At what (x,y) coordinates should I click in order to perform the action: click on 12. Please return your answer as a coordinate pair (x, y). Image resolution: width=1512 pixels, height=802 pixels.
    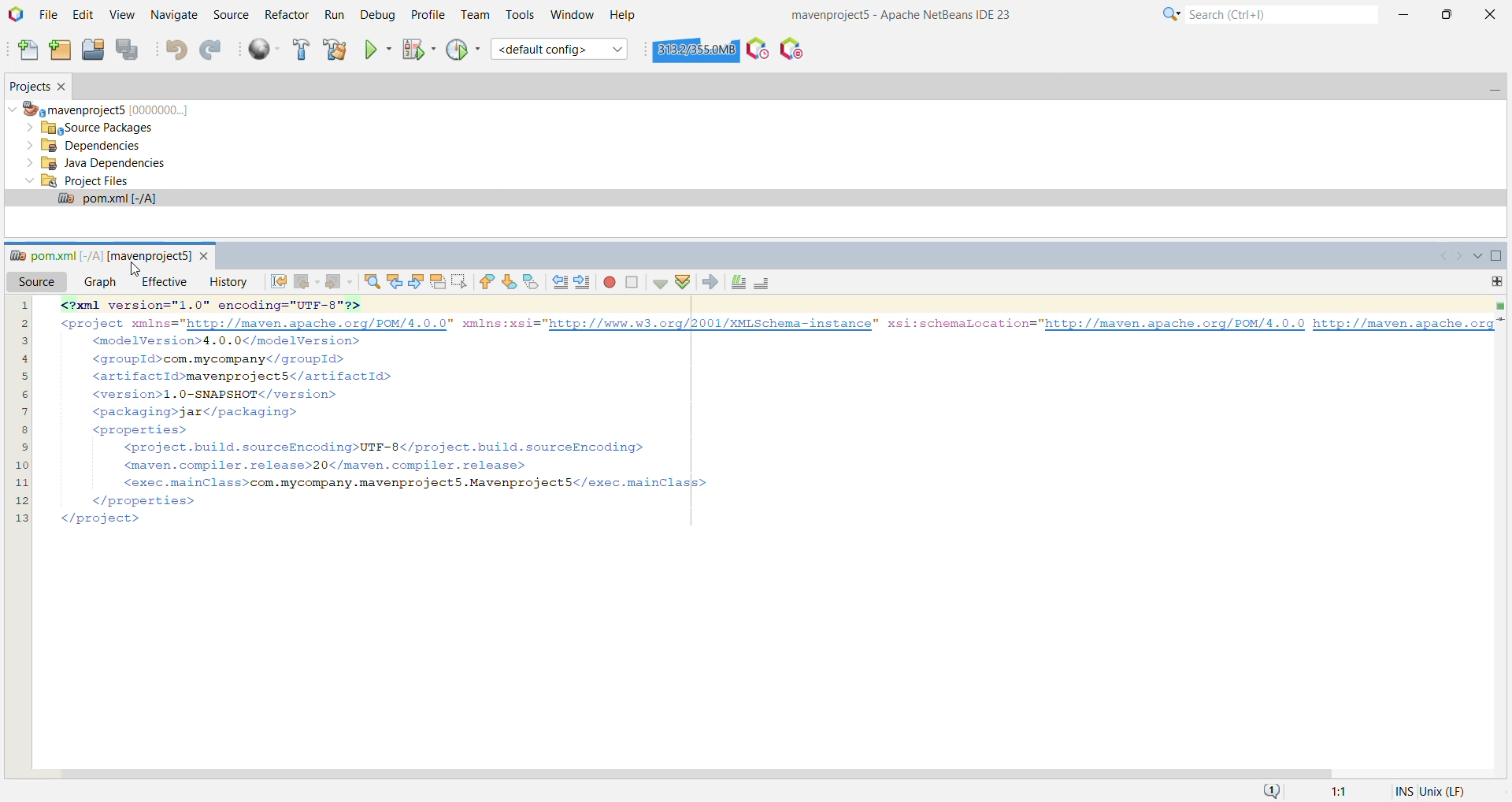
    Looking at the image, I should click on (20, 499).